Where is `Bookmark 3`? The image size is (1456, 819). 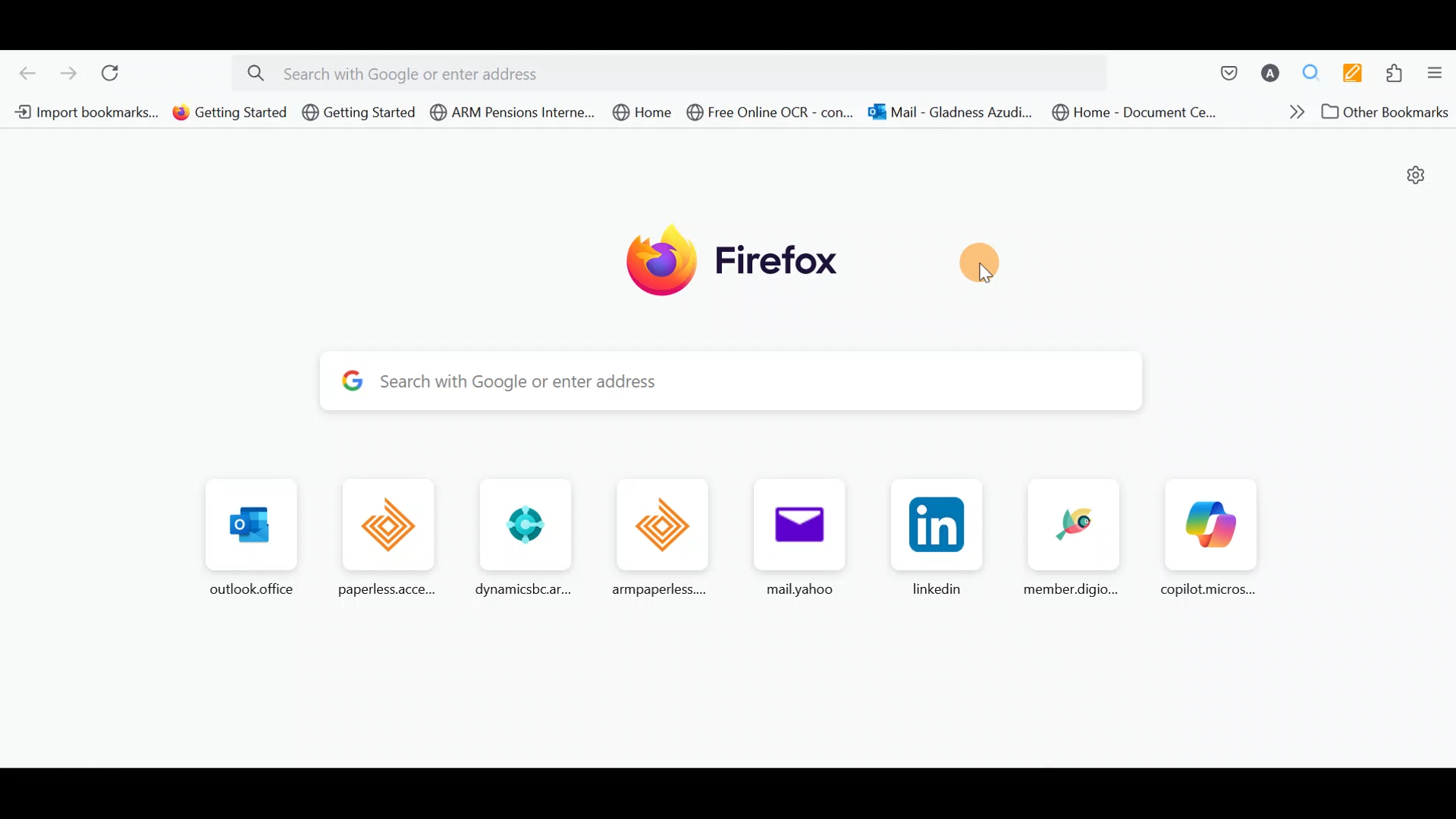
Bookmark 3 is located at coordinates (359, 114).